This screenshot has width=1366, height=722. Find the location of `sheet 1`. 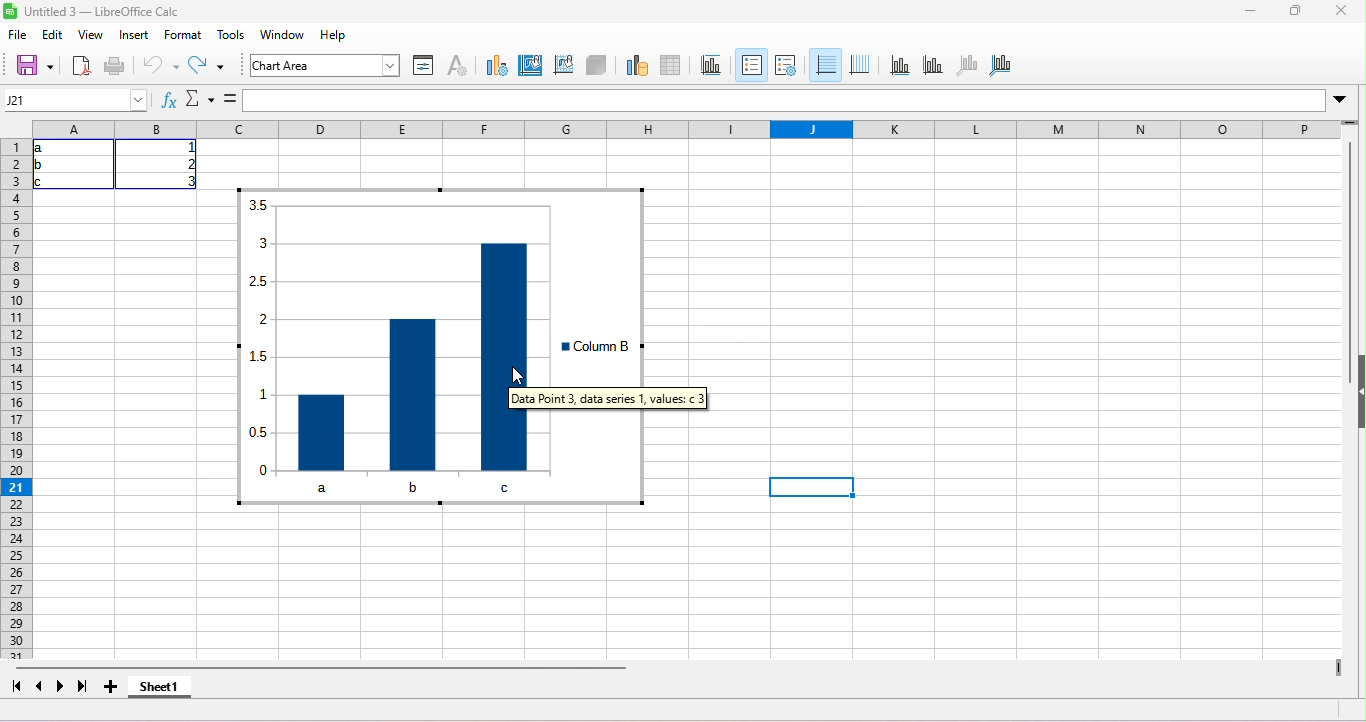

sheet 1 is located at coordinates (167, 690).